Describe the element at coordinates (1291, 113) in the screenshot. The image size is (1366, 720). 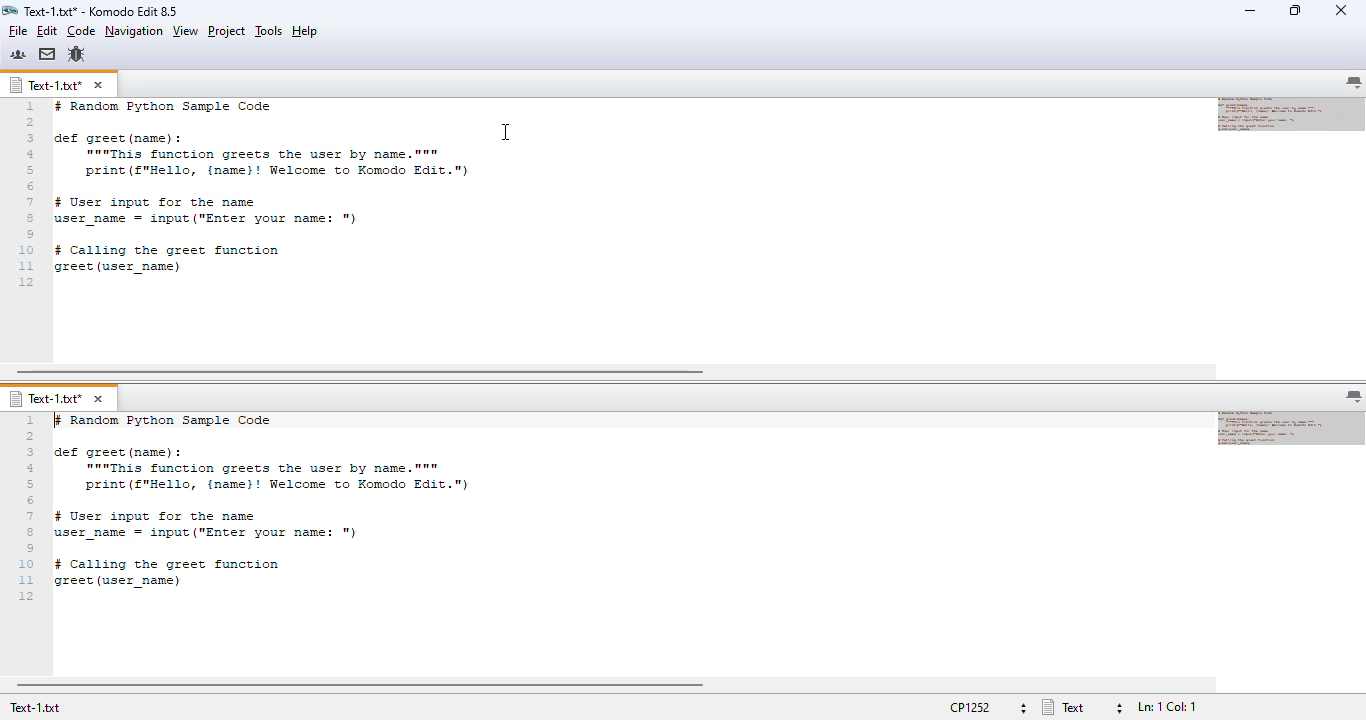
I see `minimap` at that location.